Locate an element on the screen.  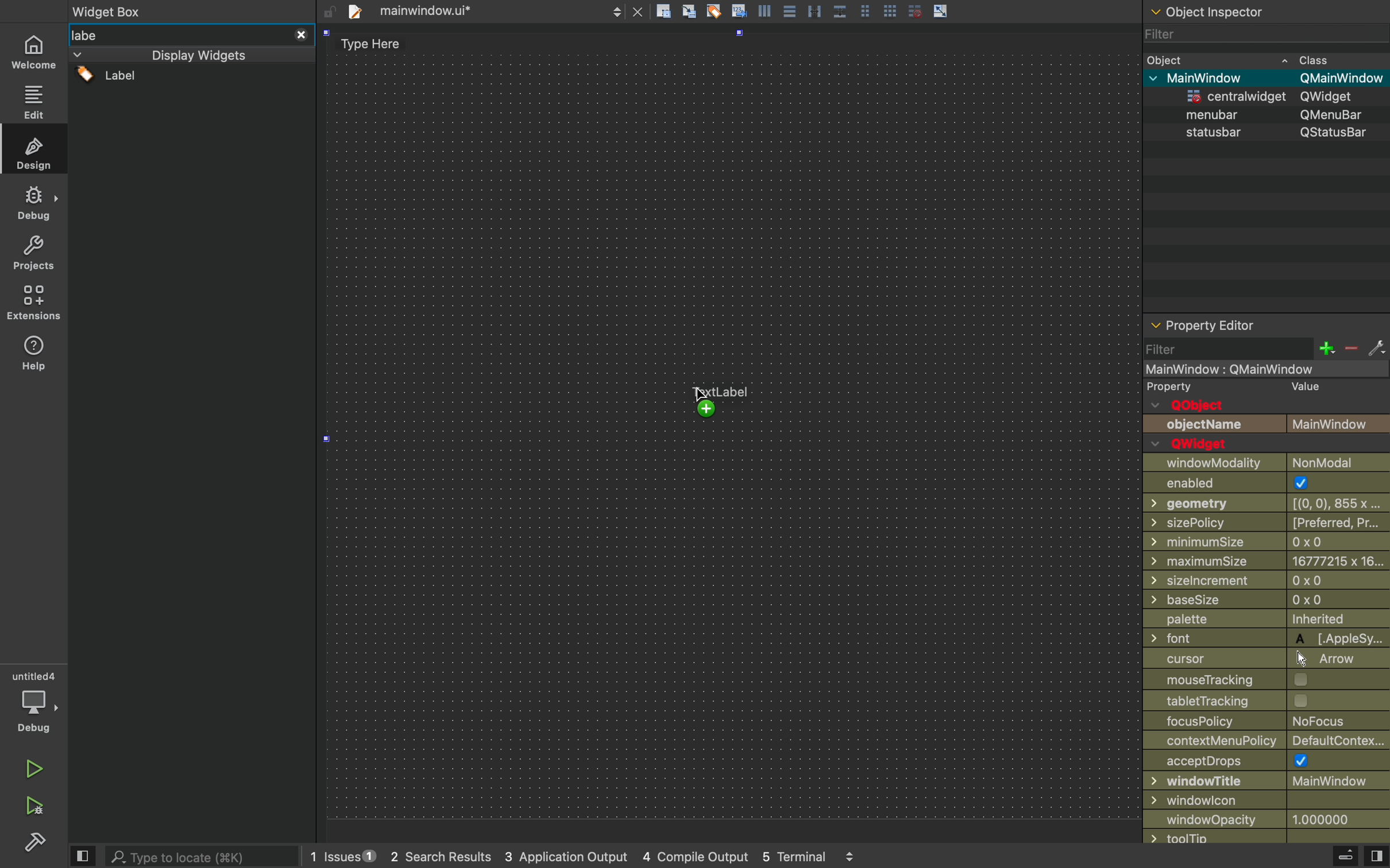
property is located at coordinates (1171, 387).